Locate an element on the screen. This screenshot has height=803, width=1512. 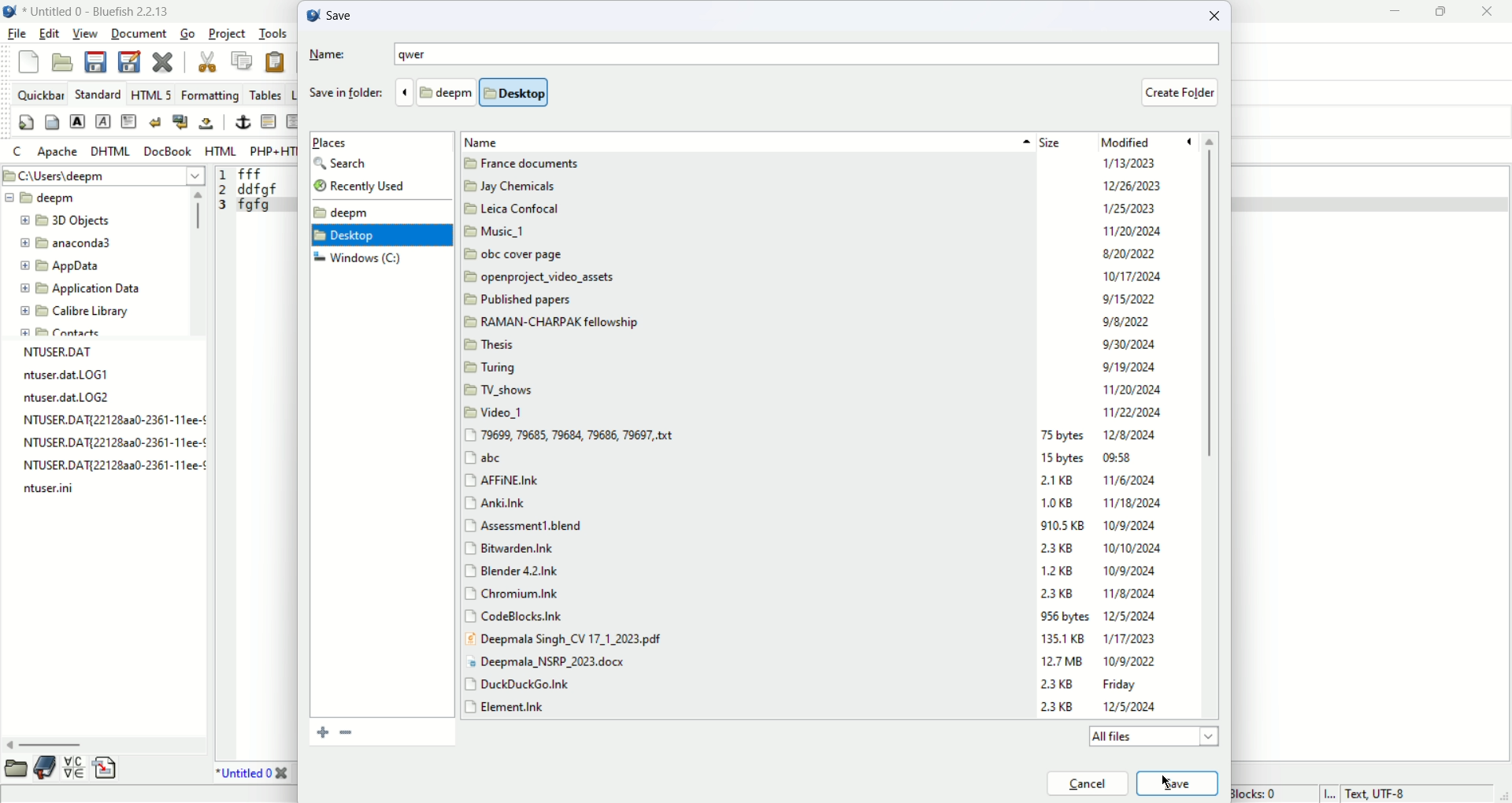
text, UTF-8 is located at coordinates (1360, 794).